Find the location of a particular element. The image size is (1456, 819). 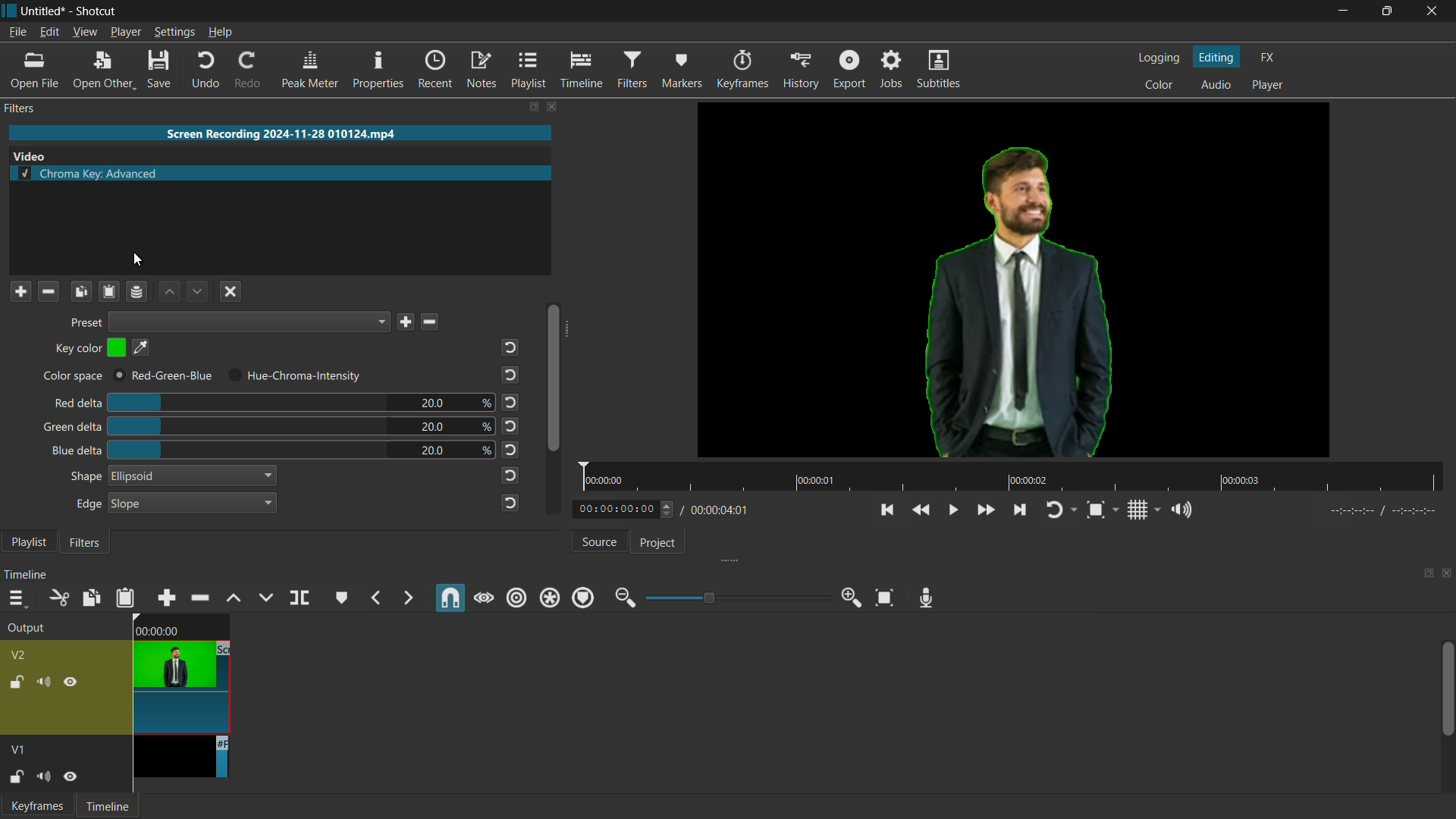

undo is located at coordinates (202, 69).